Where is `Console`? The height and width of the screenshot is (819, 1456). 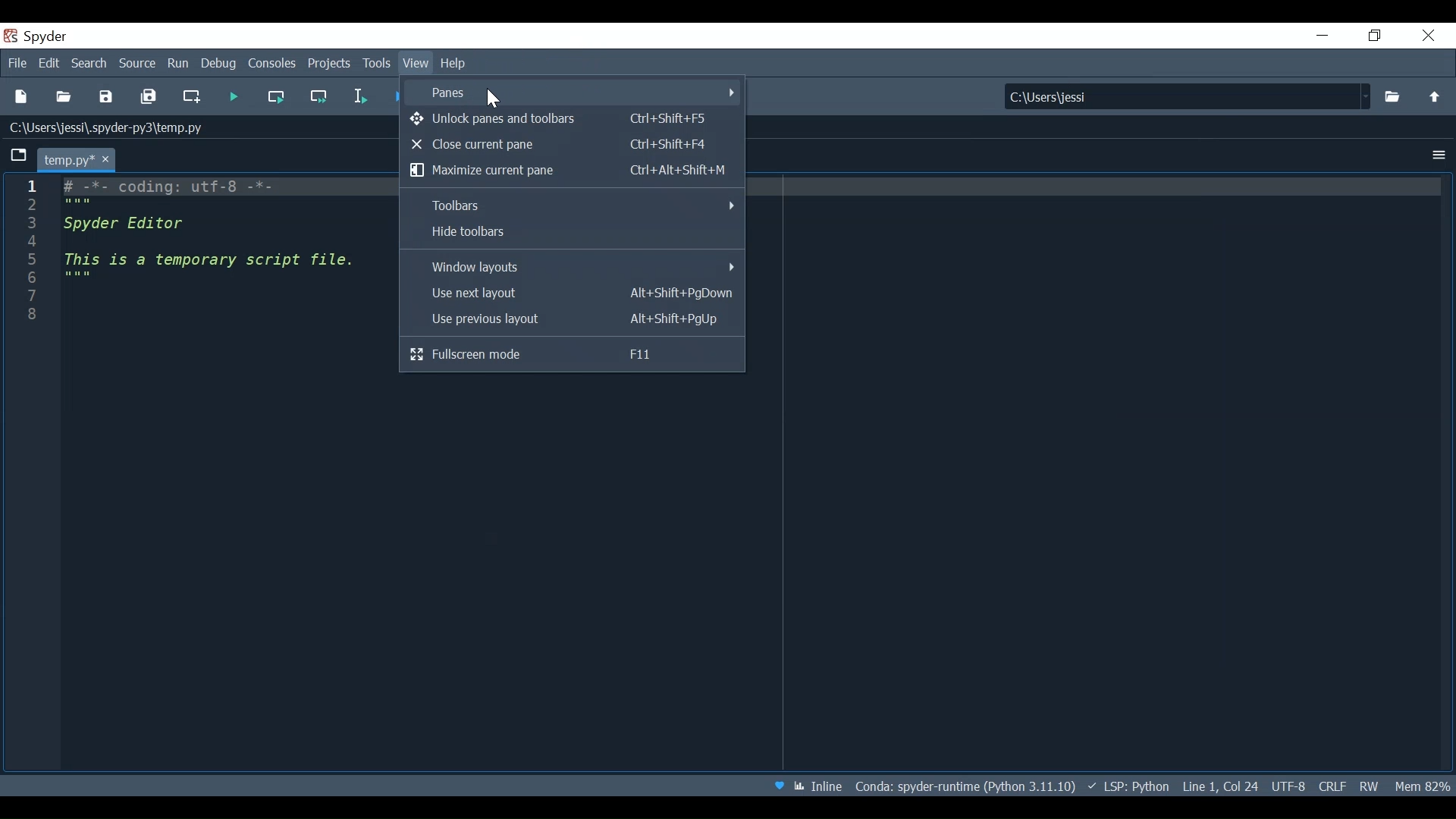 Console is located at coordinates (274, 62).